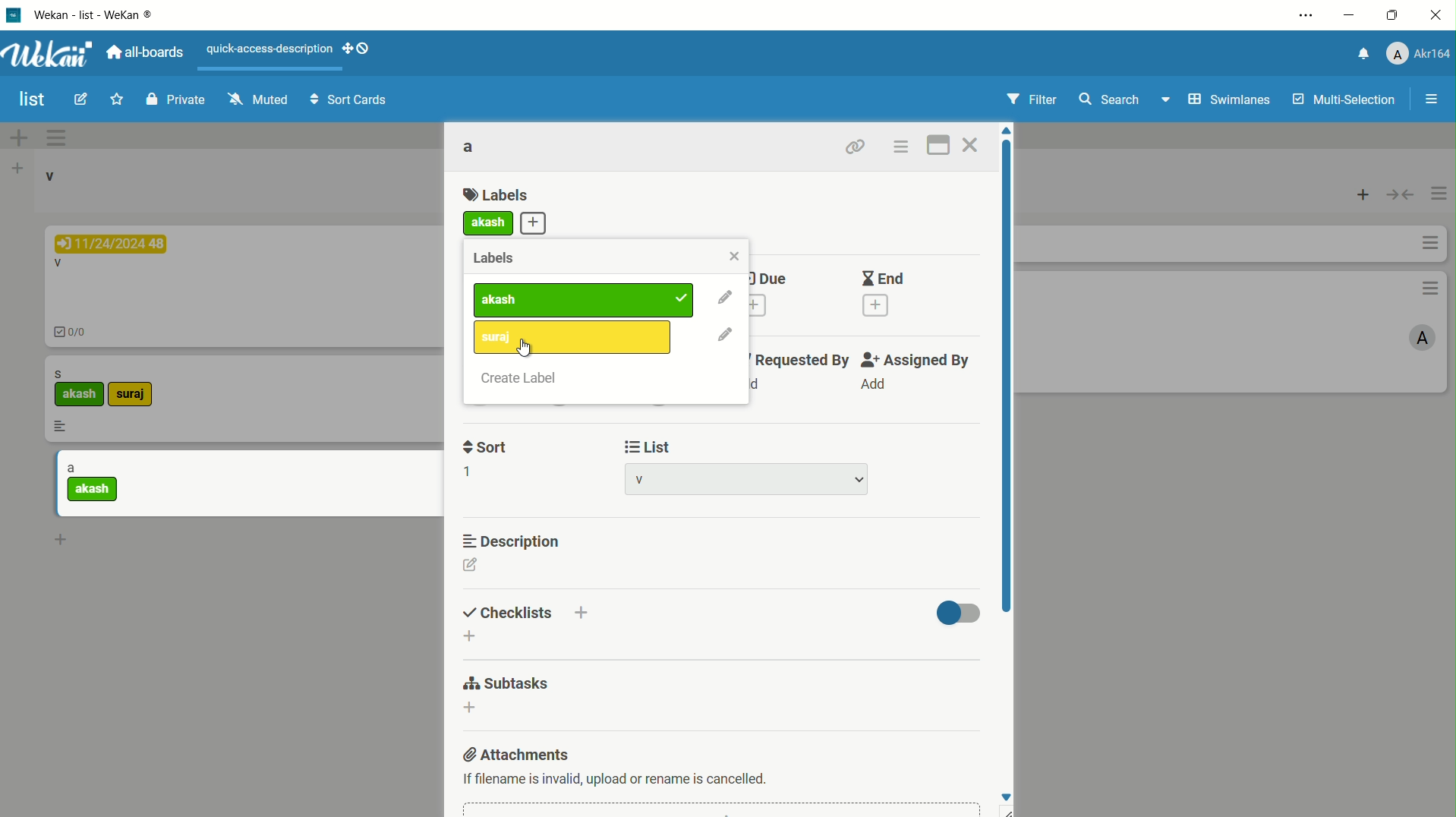  I want to click on add, so click(58, 536).